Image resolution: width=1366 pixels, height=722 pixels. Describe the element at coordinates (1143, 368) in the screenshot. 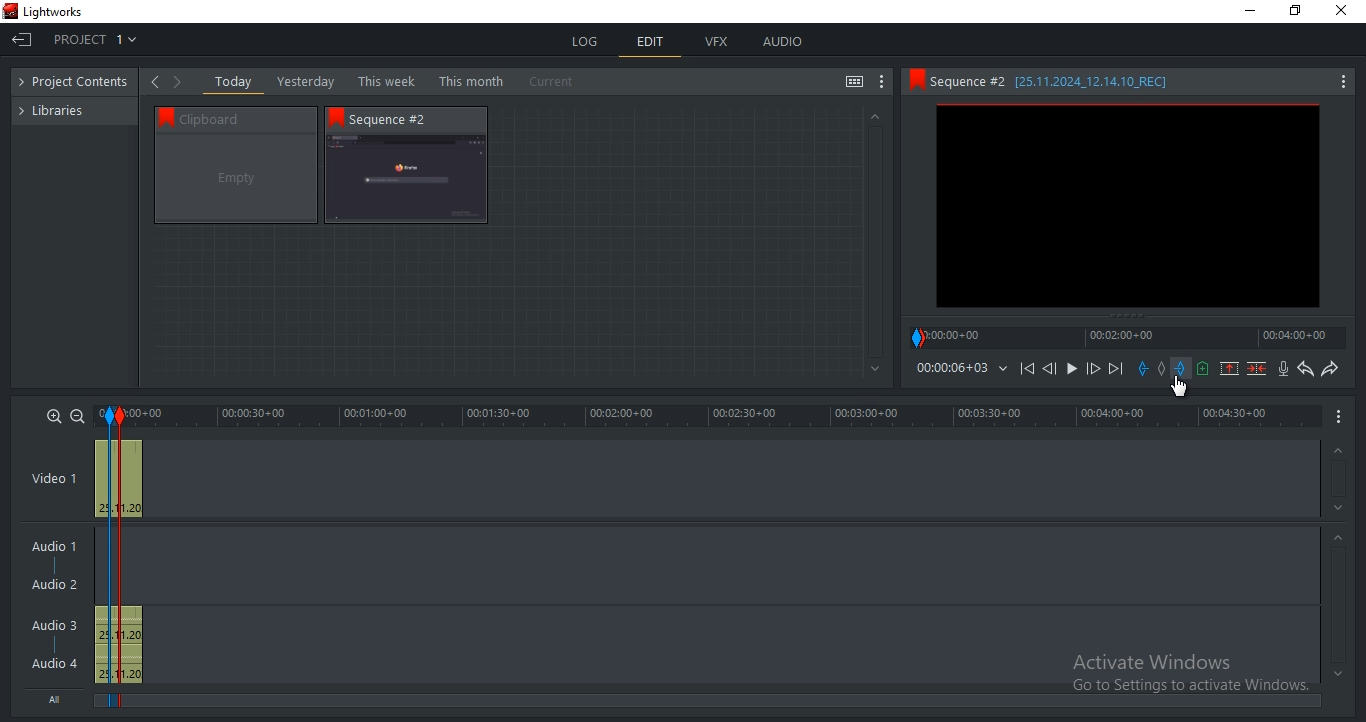

I see `mark in` at that location.